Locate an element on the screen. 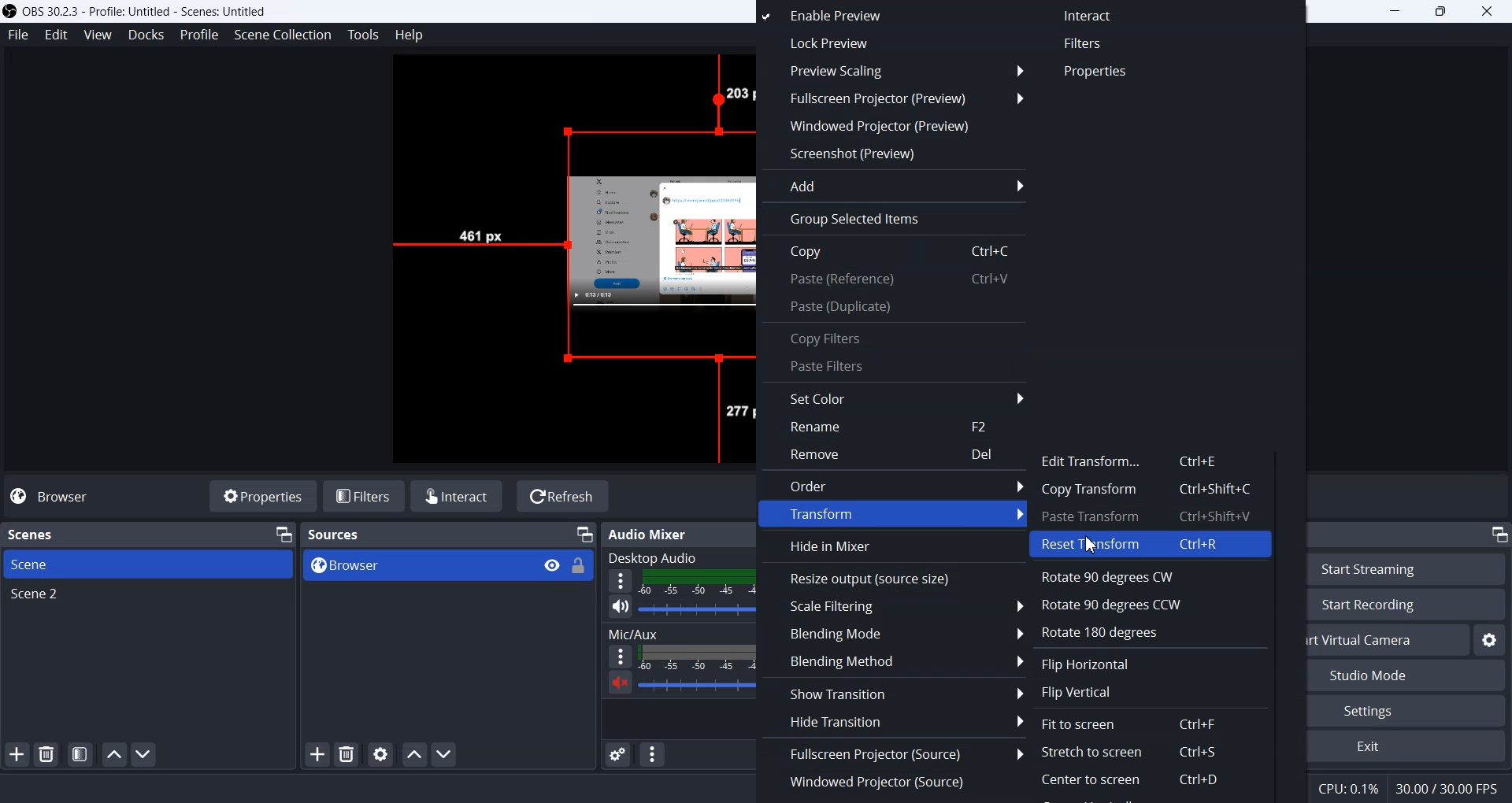 The image size is (1512, 803). Refresh is located at coordinates (561, 497).